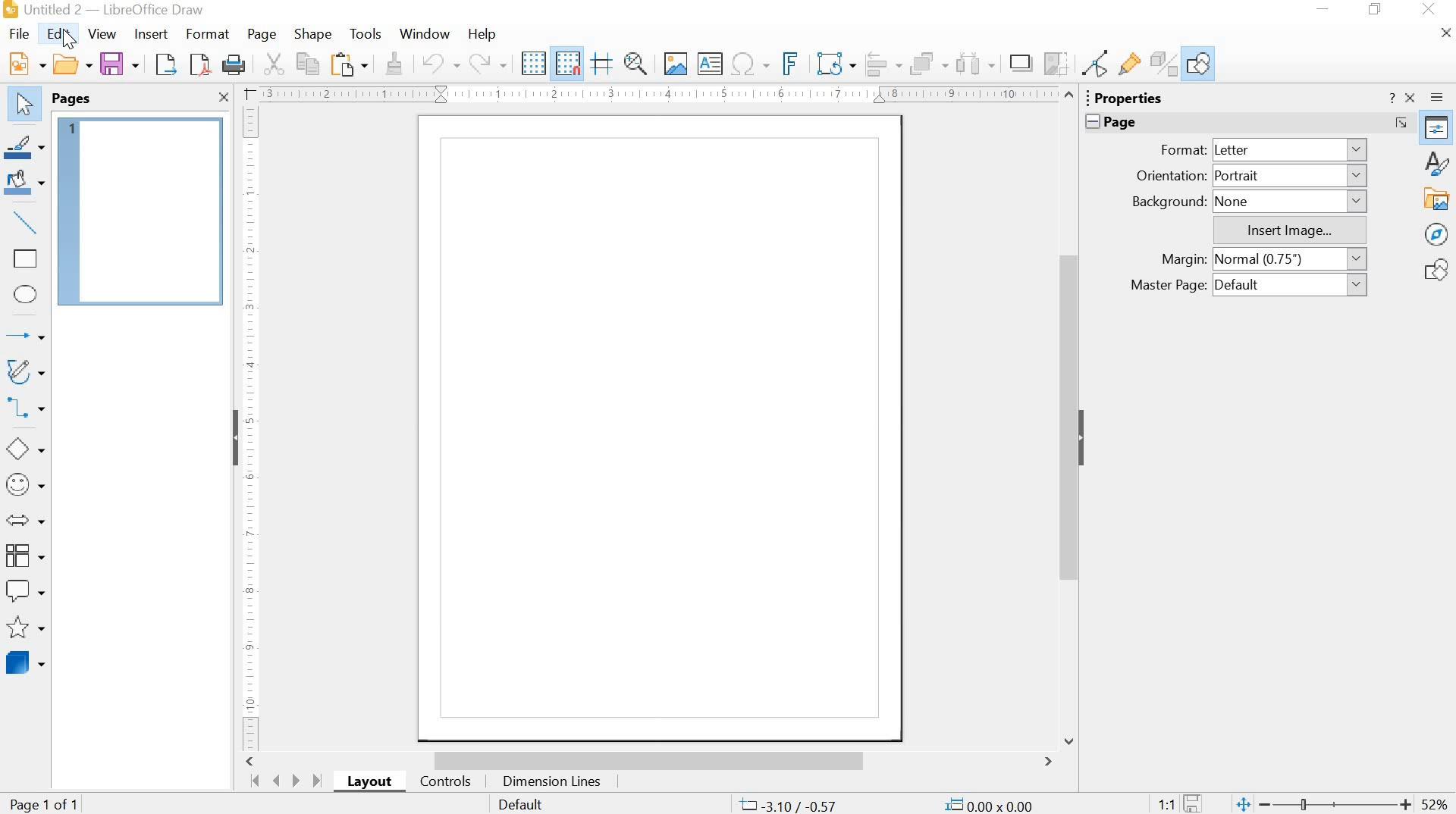 This screenshot has height=814, width=1456. What do you see at coordinates (27, 590) in the screenshot?
I see `Callout Shapes (double click for multi-selection)` at bounding box center [27, 590].